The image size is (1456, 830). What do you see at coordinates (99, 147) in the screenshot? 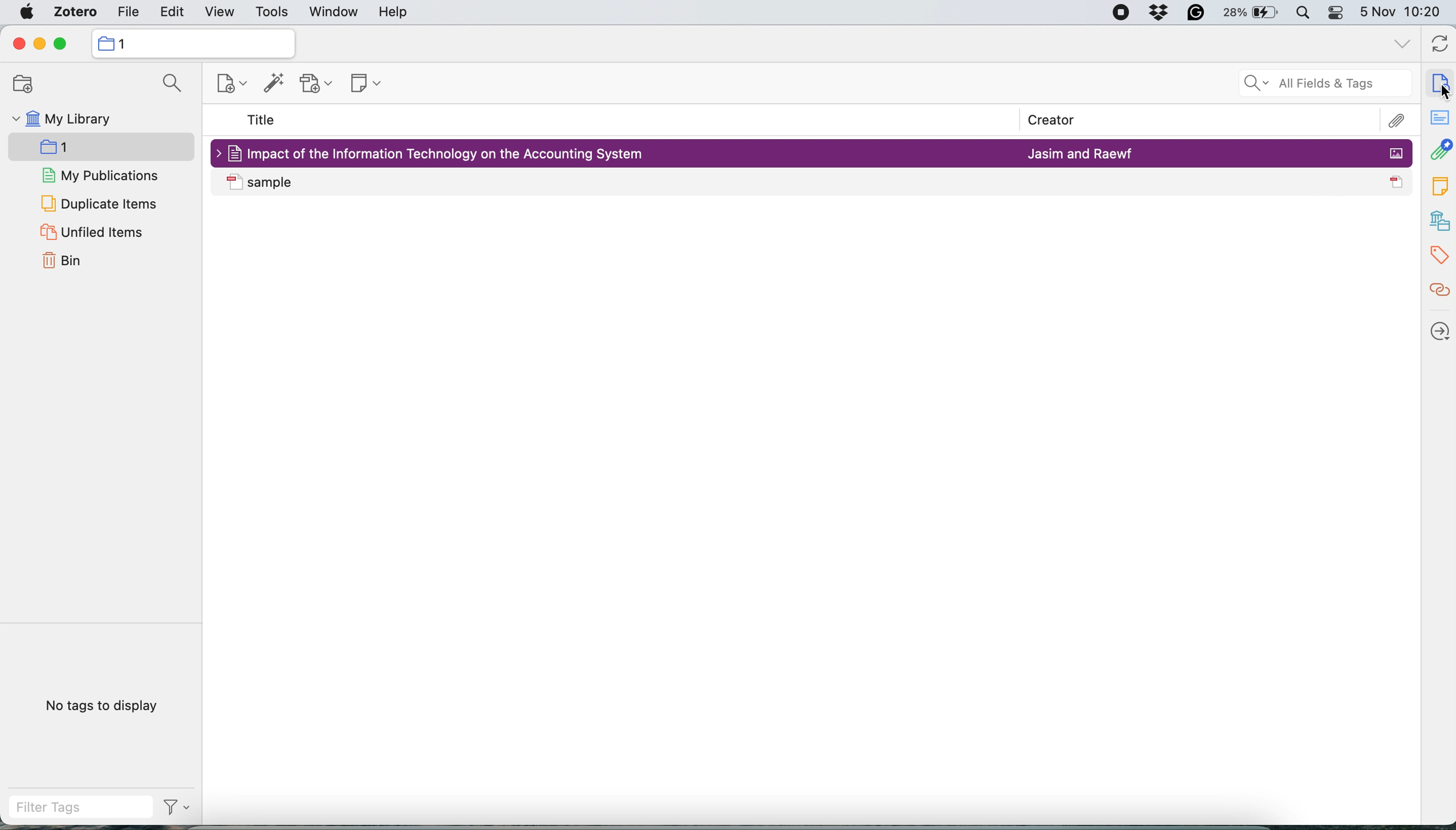
I see `new collection` at bounding box center [99, 147].